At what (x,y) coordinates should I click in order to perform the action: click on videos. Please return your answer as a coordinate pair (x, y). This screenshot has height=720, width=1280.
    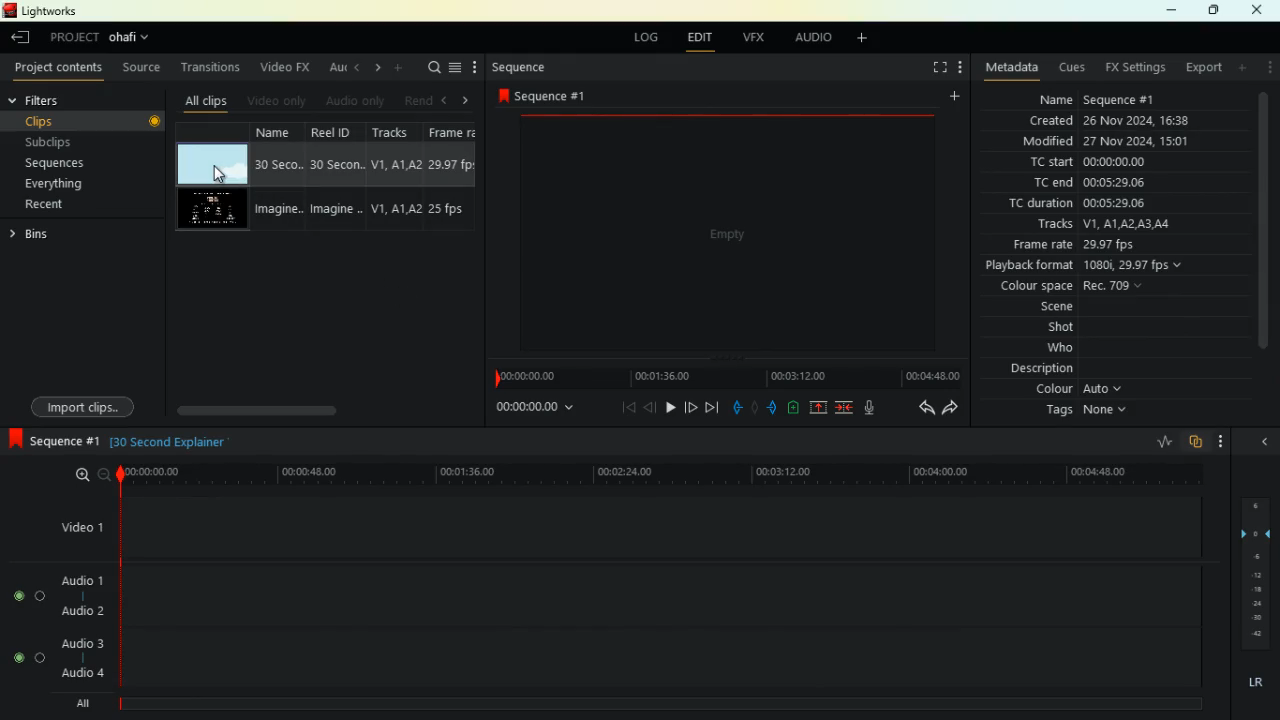
    Looking at the image, I should click on (215, 207).